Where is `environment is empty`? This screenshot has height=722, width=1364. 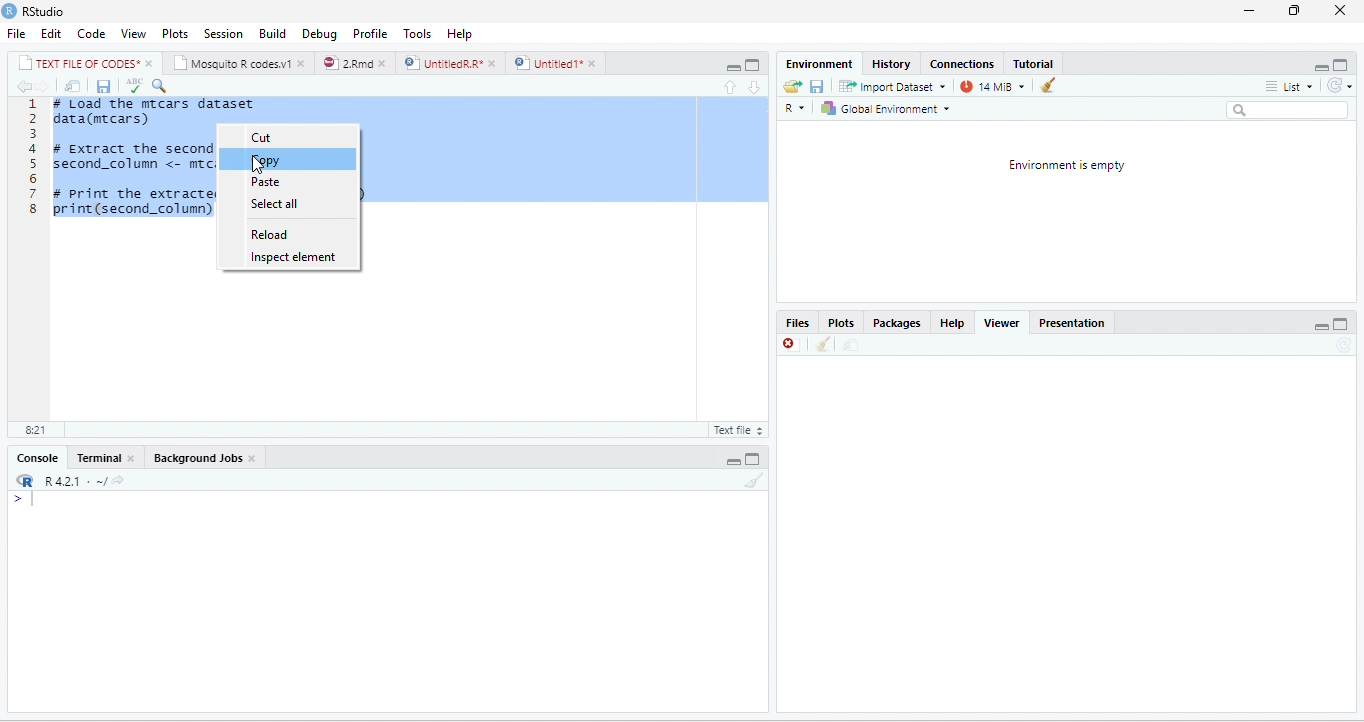
environment is empty is located at coordinates (1070, 210).